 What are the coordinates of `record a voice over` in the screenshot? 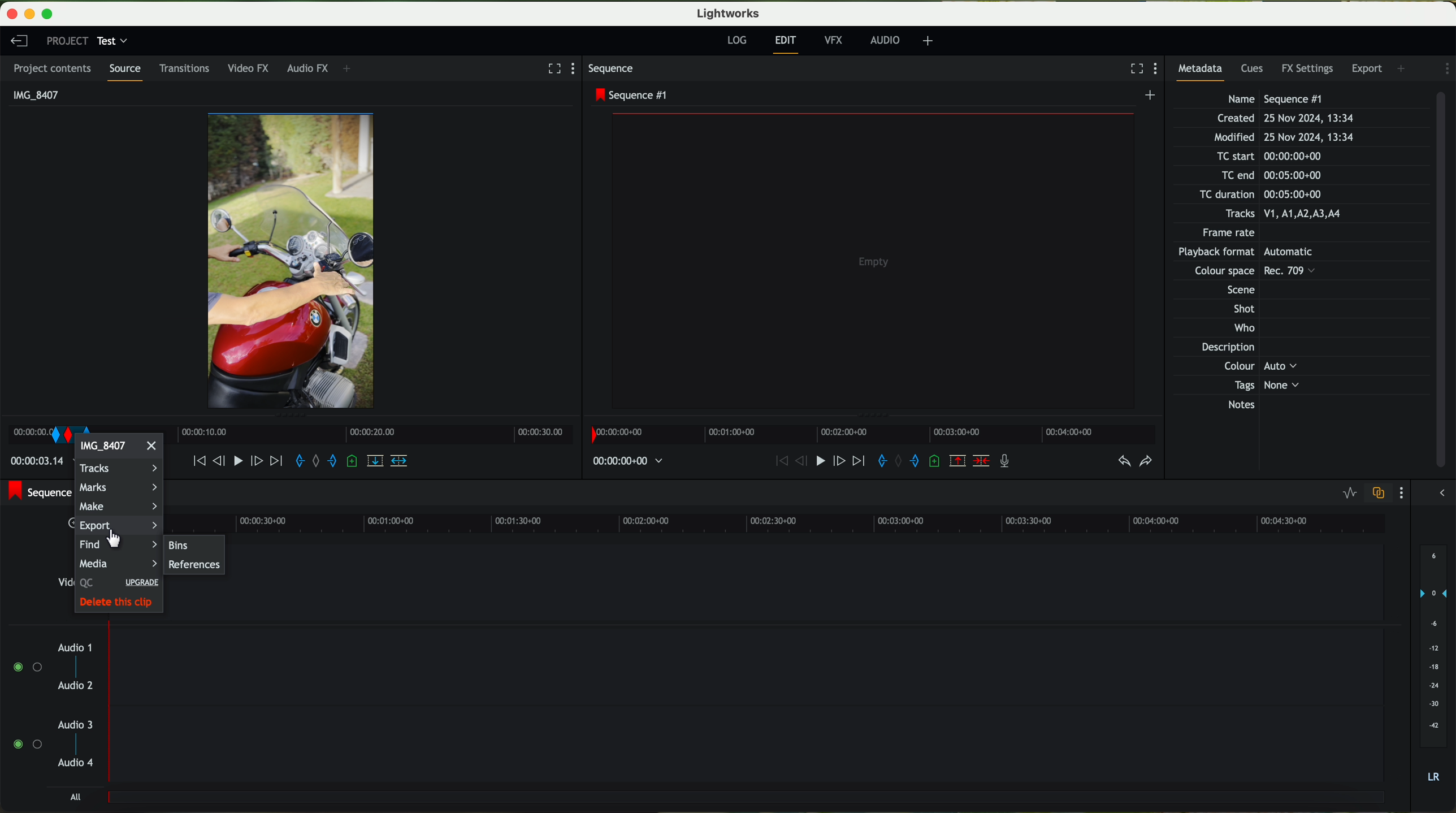 It's located at (1006, 460).